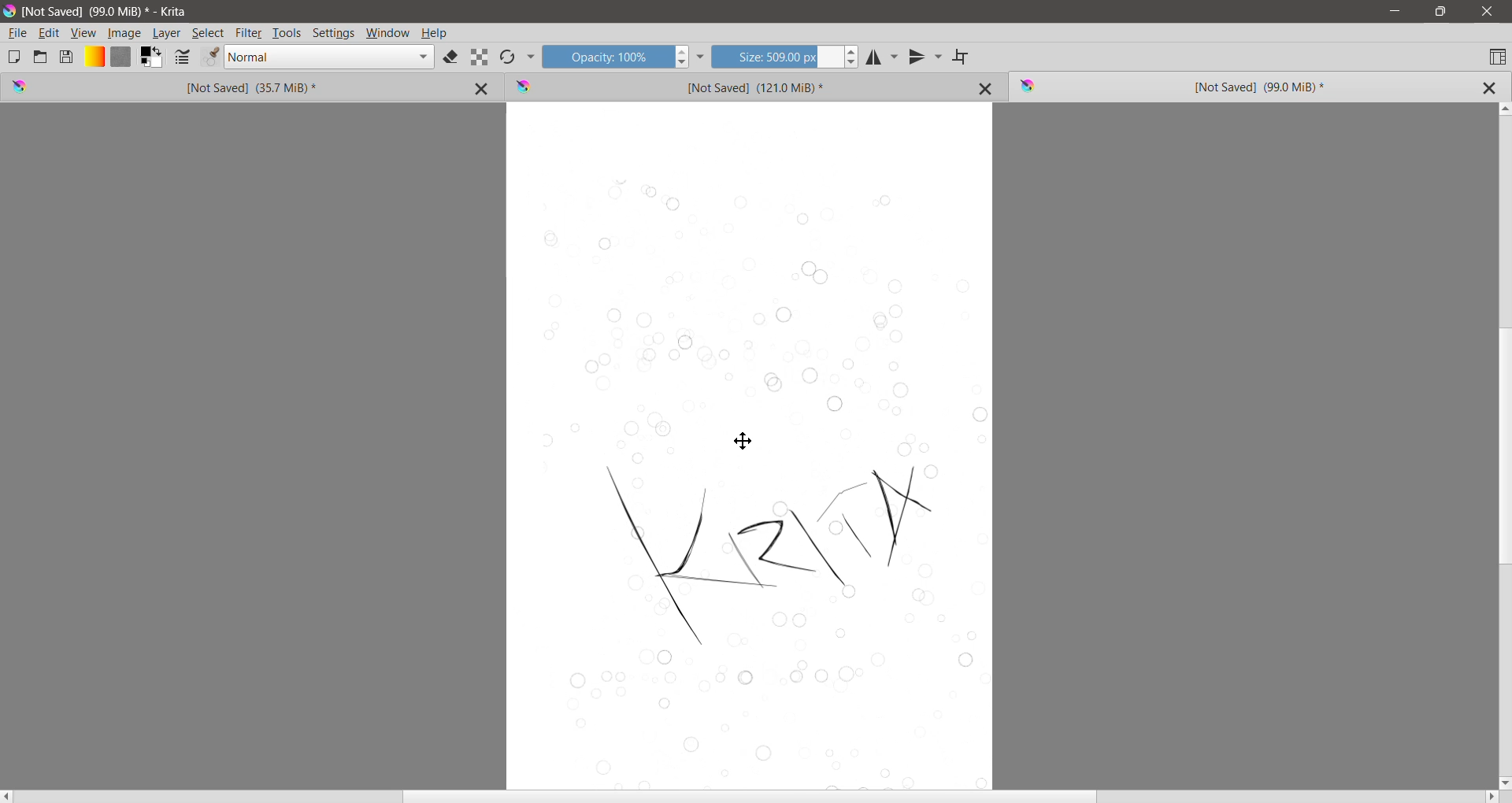 The image size is (1512, 803). I want to click on Selection Moved on Canvas, so click(760, 485).